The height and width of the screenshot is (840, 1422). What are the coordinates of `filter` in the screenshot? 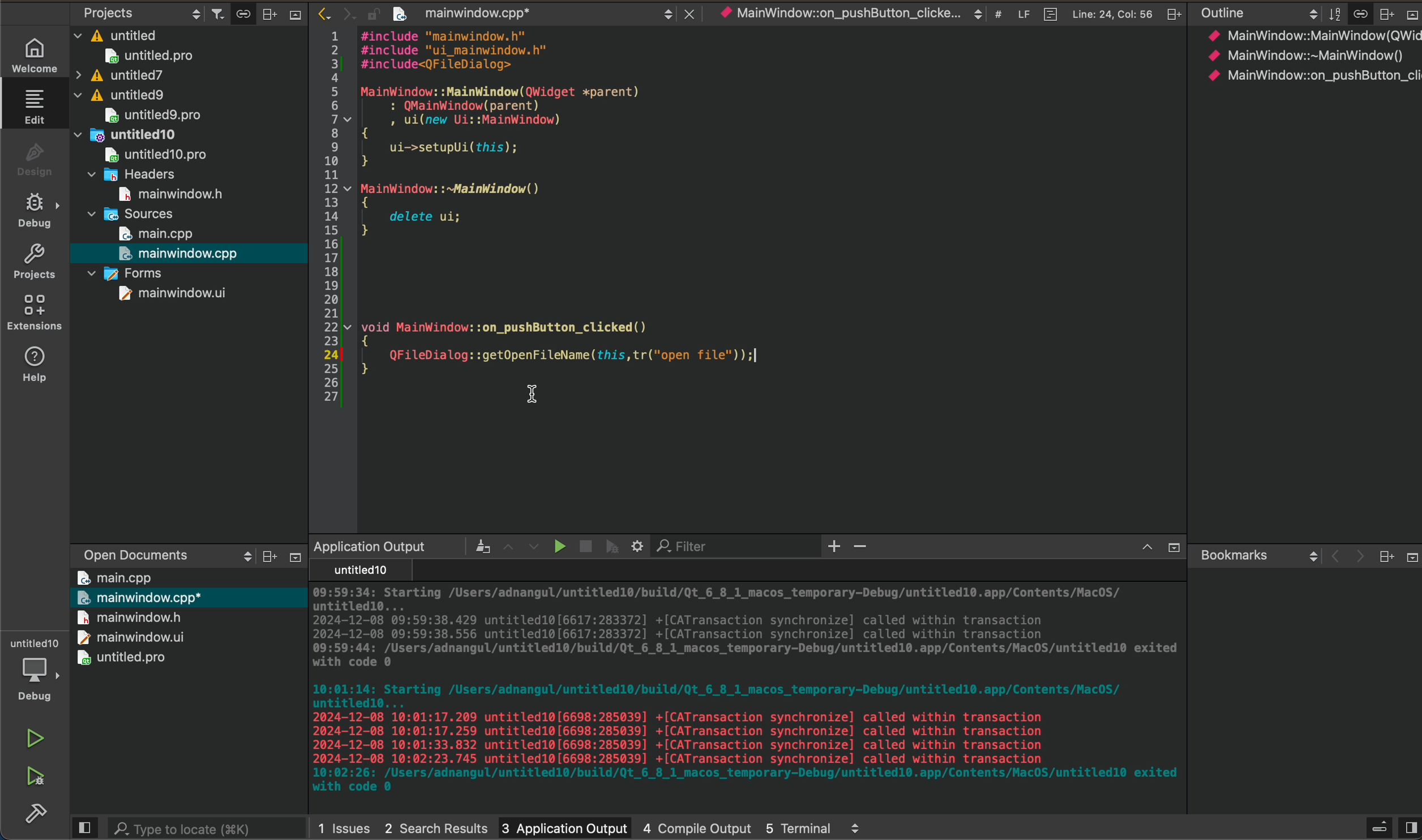 It's located at (1332, 13).